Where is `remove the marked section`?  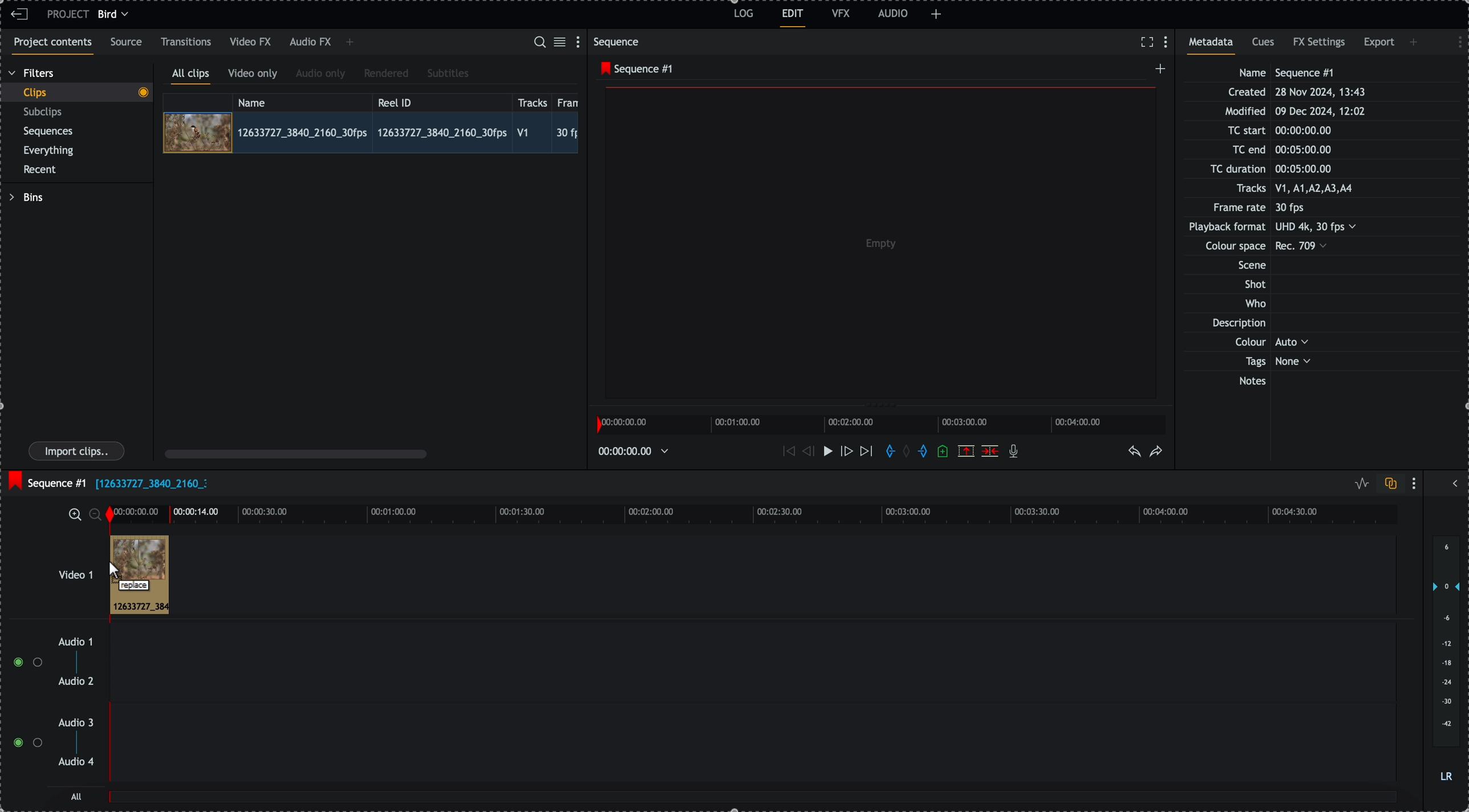 remove the marked section is located at coordinates (966, 450).